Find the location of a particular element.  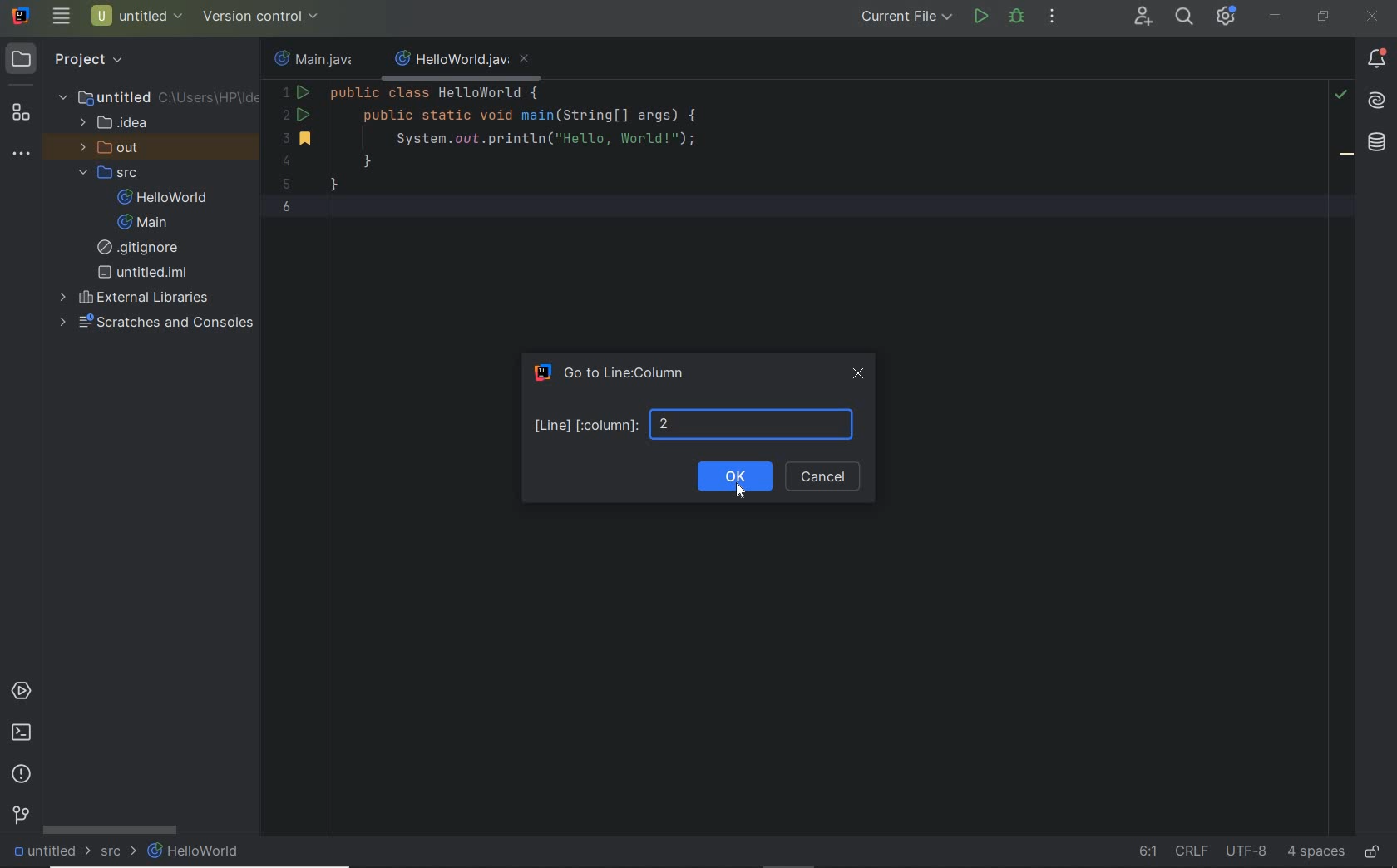

problems is located at coordinates (21, 776).